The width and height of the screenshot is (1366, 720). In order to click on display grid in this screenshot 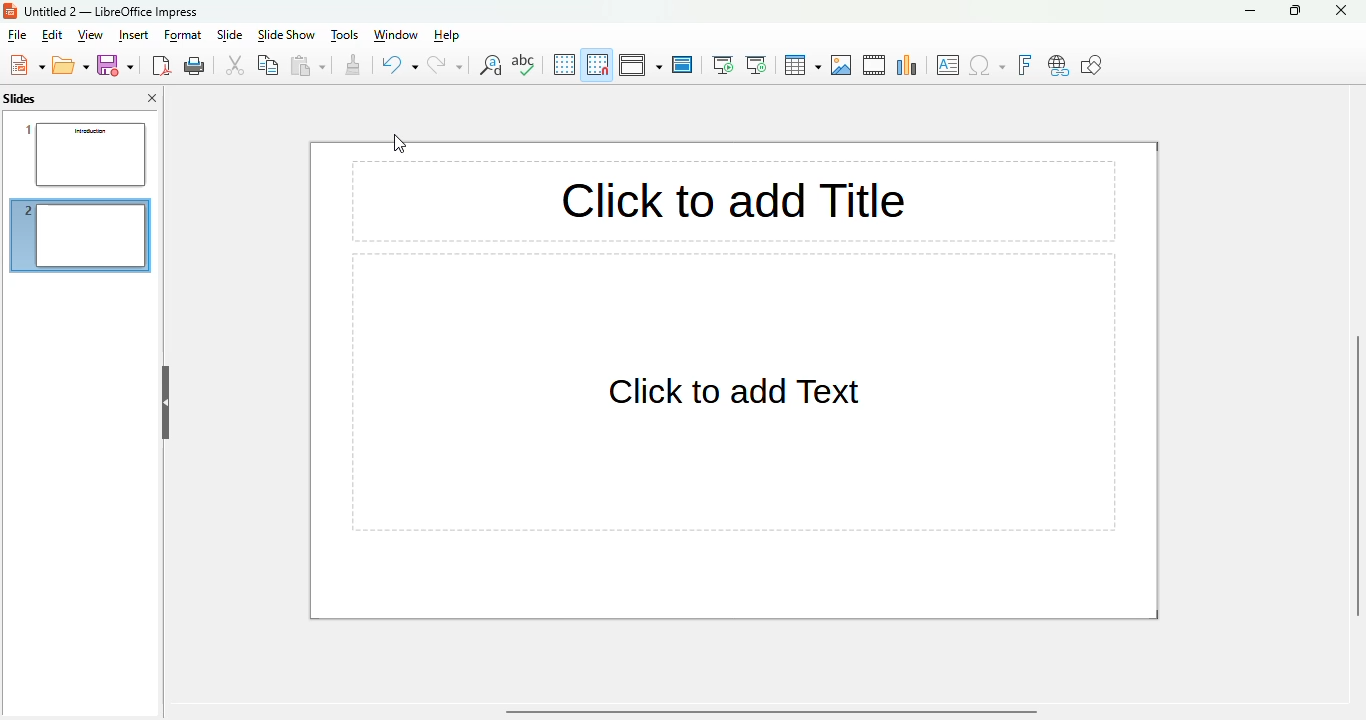, I will do `click(564, 64)`.